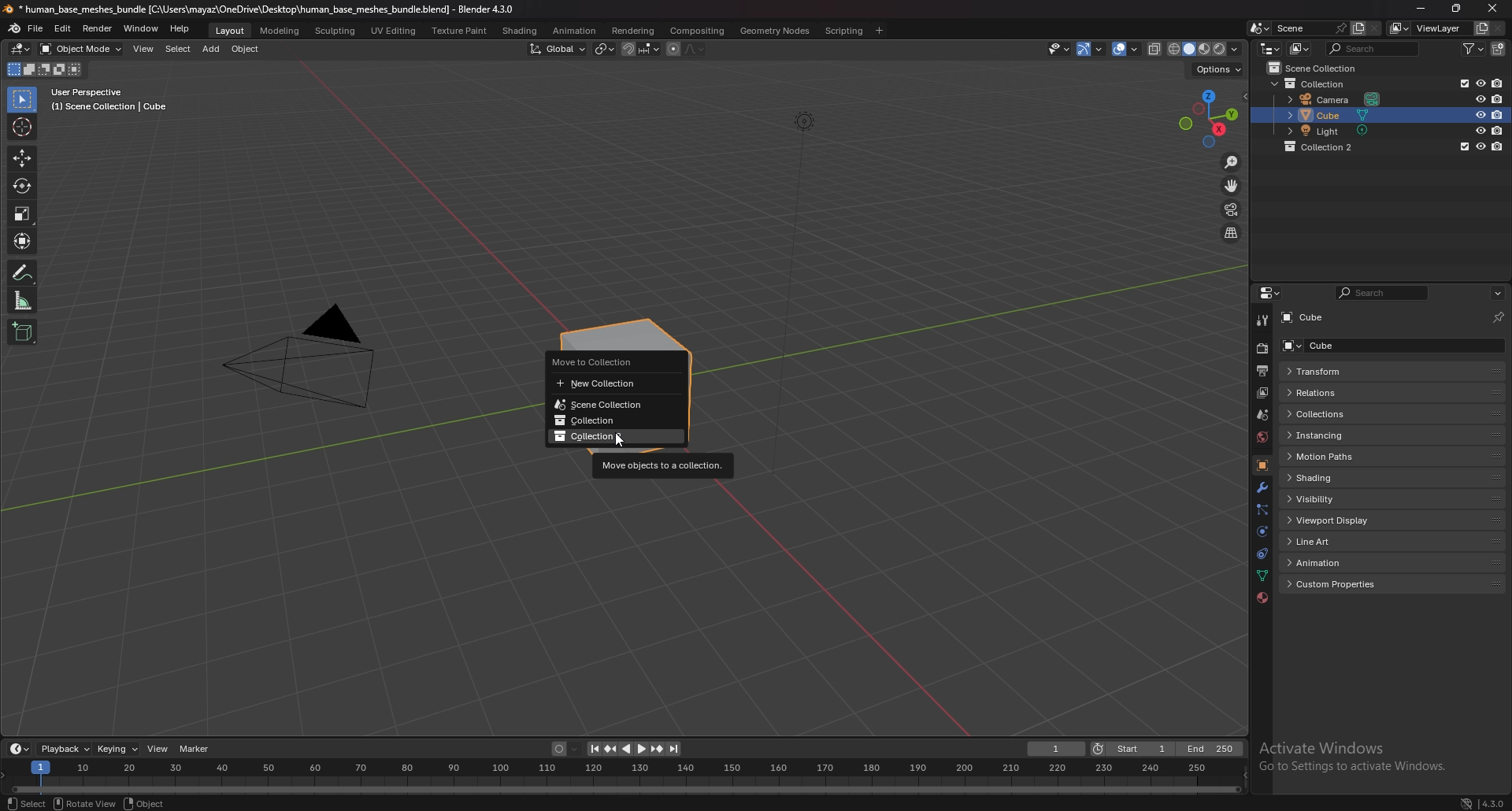  What do you see at coordinates (246, 49) in the screenshot?
I see `object` at bounding box center [246, 49].